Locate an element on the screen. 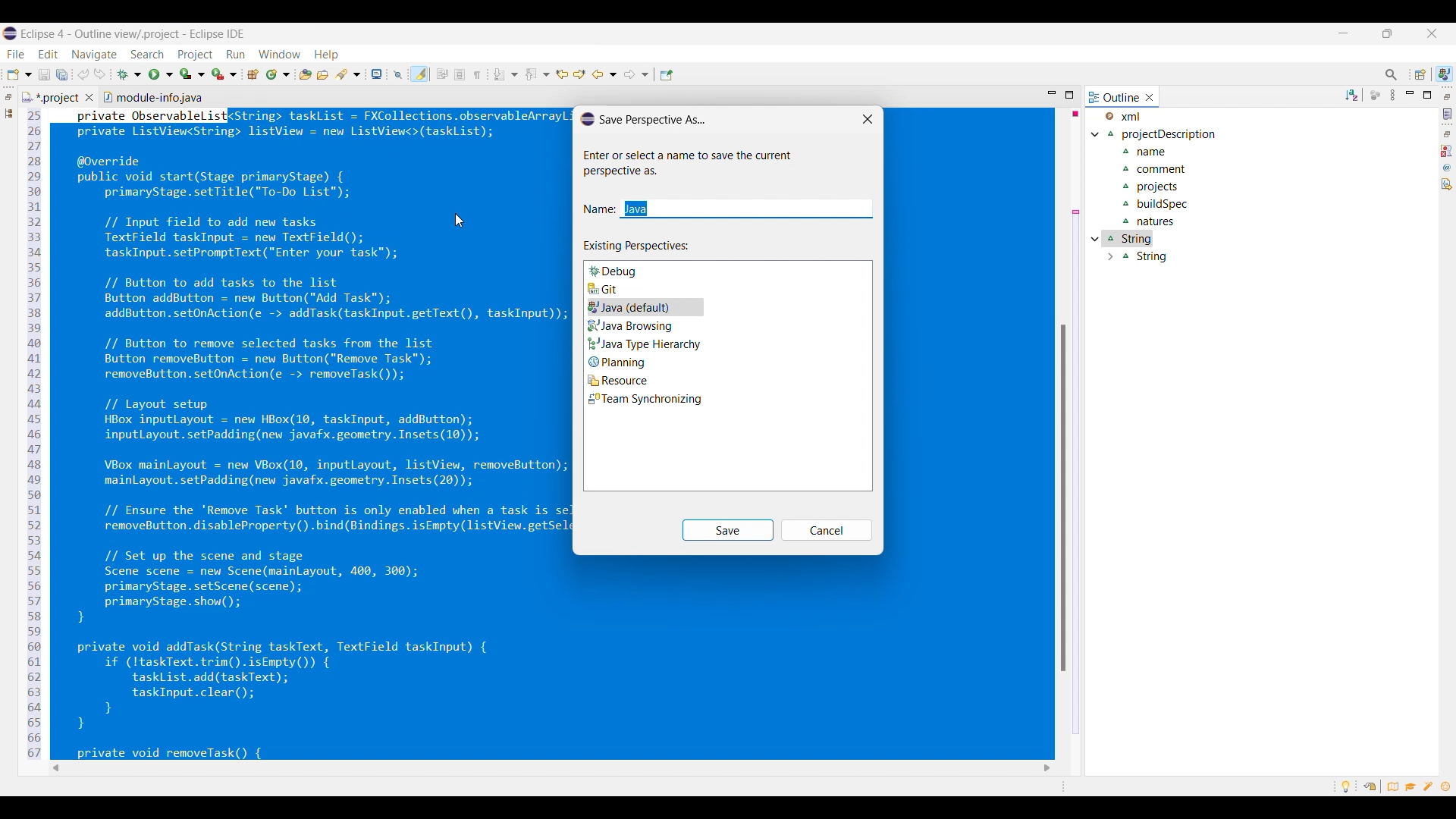 This screenshot has height=819, width=1456. Window descriptions is located at coordinates (690, 164).